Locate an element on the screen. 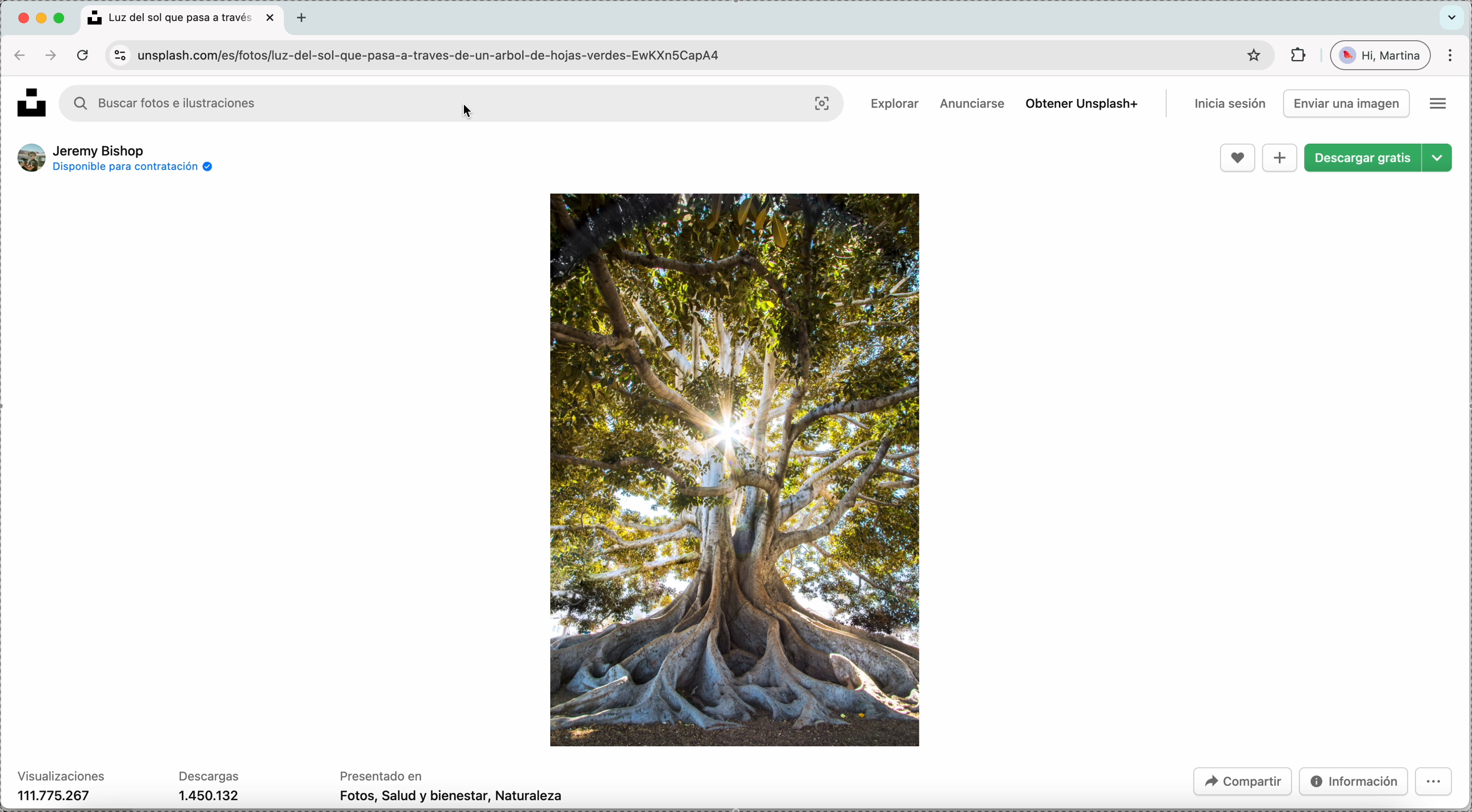 This screenshot has height=812, width=1472. more options is located at coordinates (1436, 785).